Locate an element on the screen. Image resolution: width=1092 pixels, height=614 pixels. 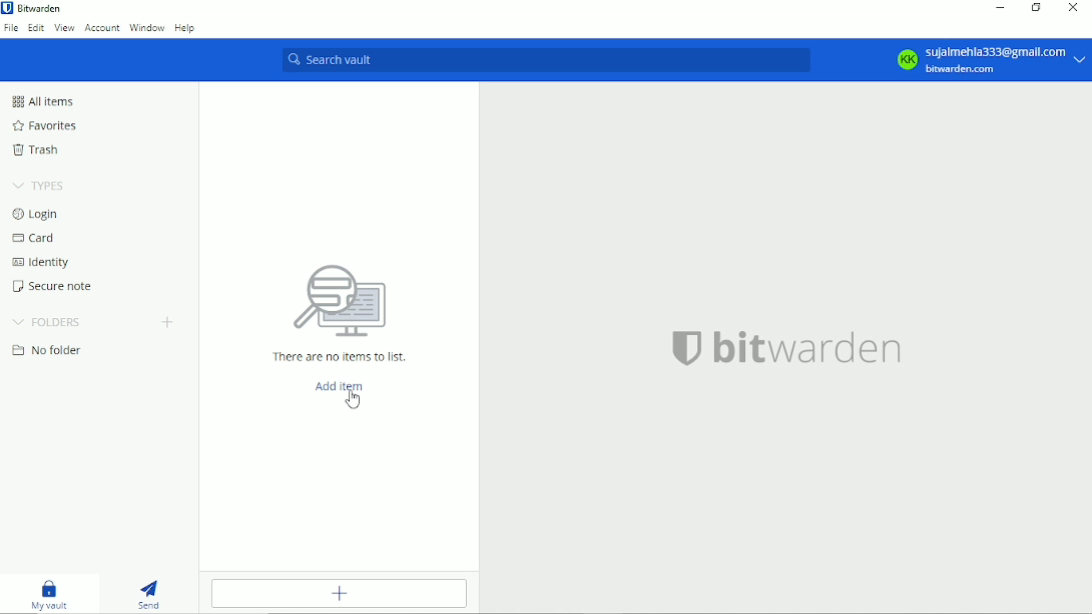
Add item is located at coordinates (341, 594).